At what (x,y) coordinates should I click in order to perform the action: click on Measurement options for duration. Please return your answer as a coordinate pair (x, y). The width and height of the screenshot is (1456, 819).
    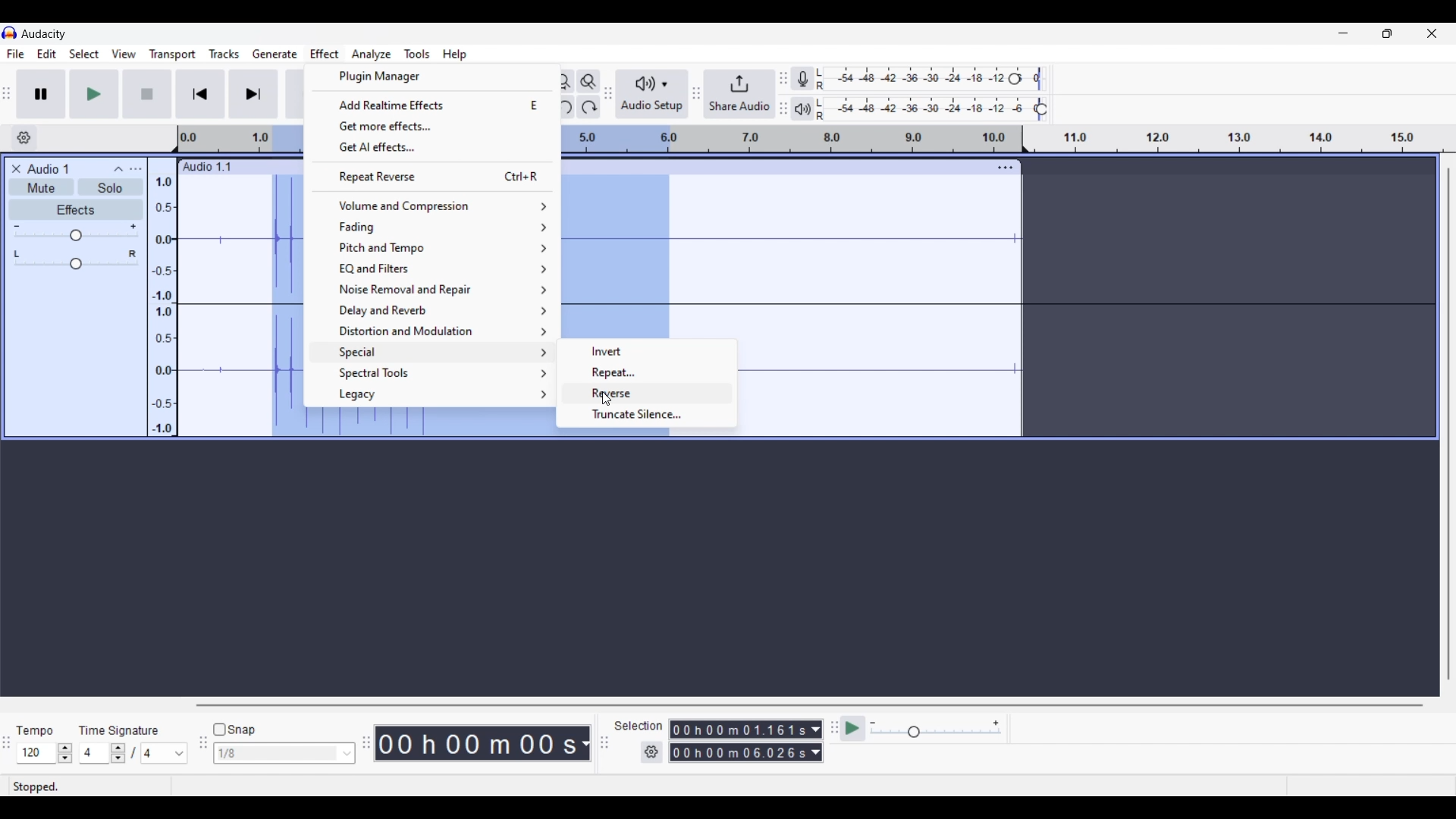
    Looking at the image, I should click on (584, 744).